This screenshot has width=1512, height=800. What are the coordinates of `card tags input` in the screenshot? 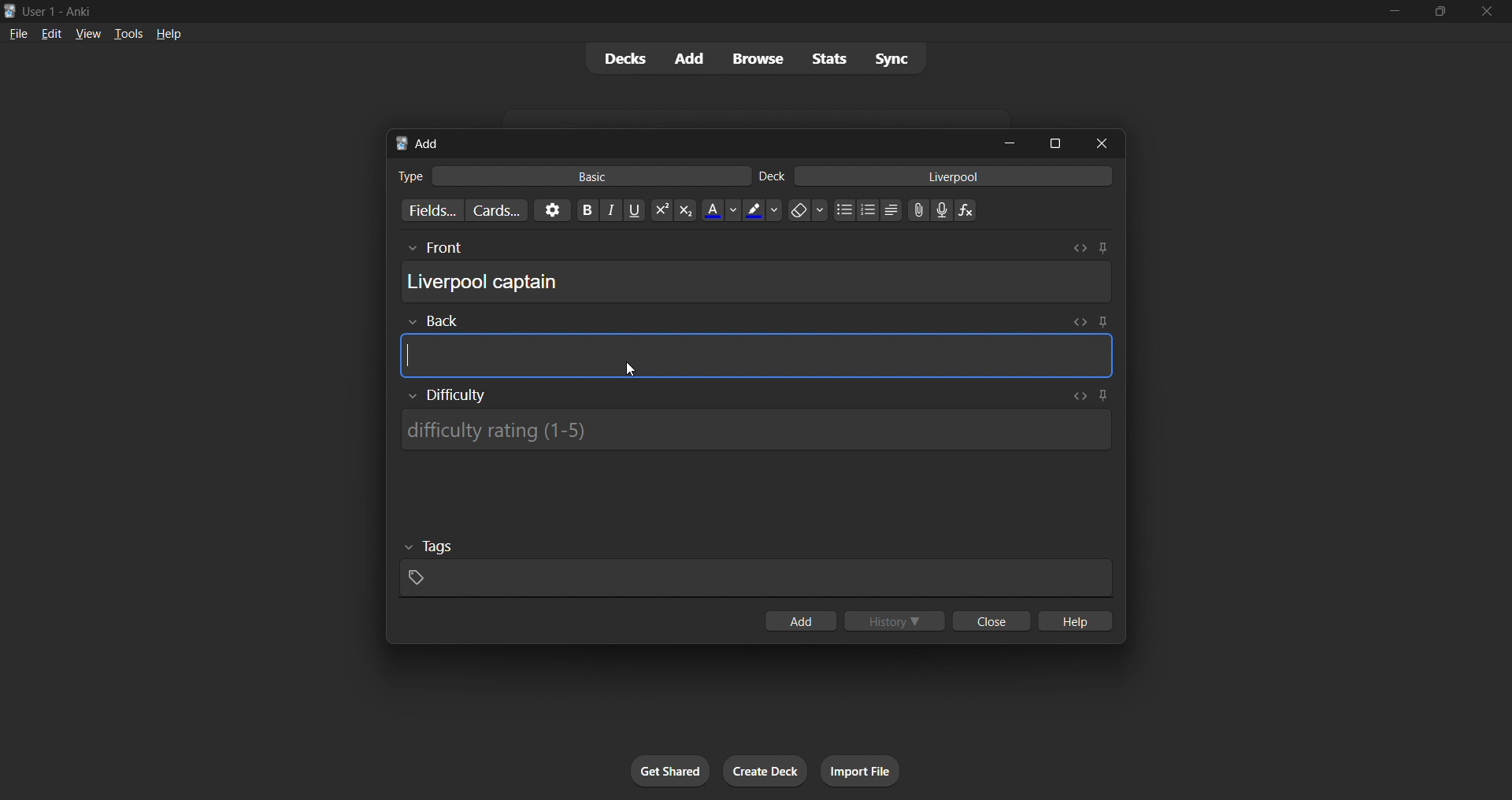 It's located at (756, 579).